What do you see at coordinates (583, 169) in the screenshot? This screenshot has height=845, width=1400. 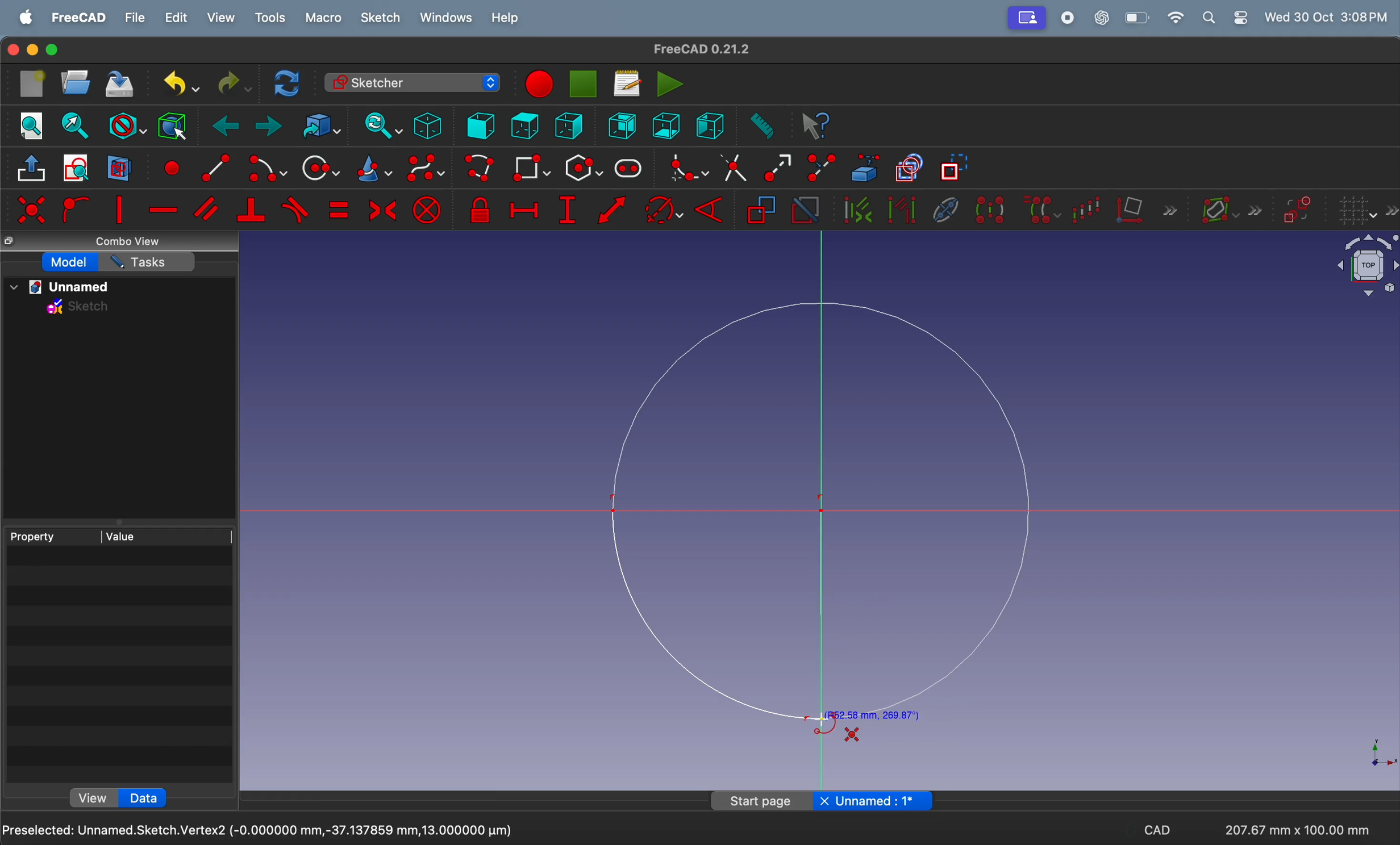 I see `create external polygon` at bounding box center [583, 169].